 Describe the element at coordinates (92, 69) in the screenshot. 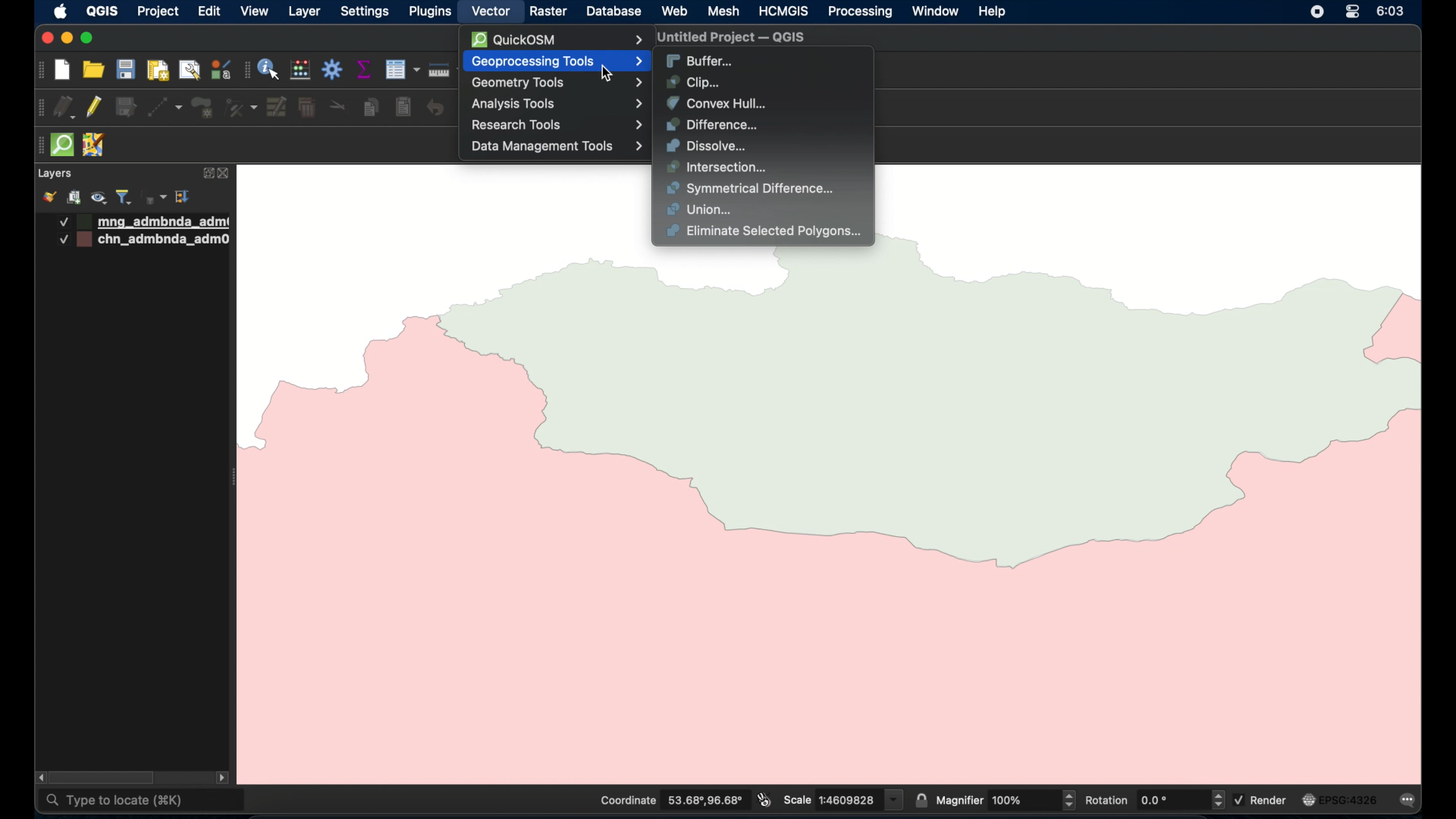

I see `open project` at that location.